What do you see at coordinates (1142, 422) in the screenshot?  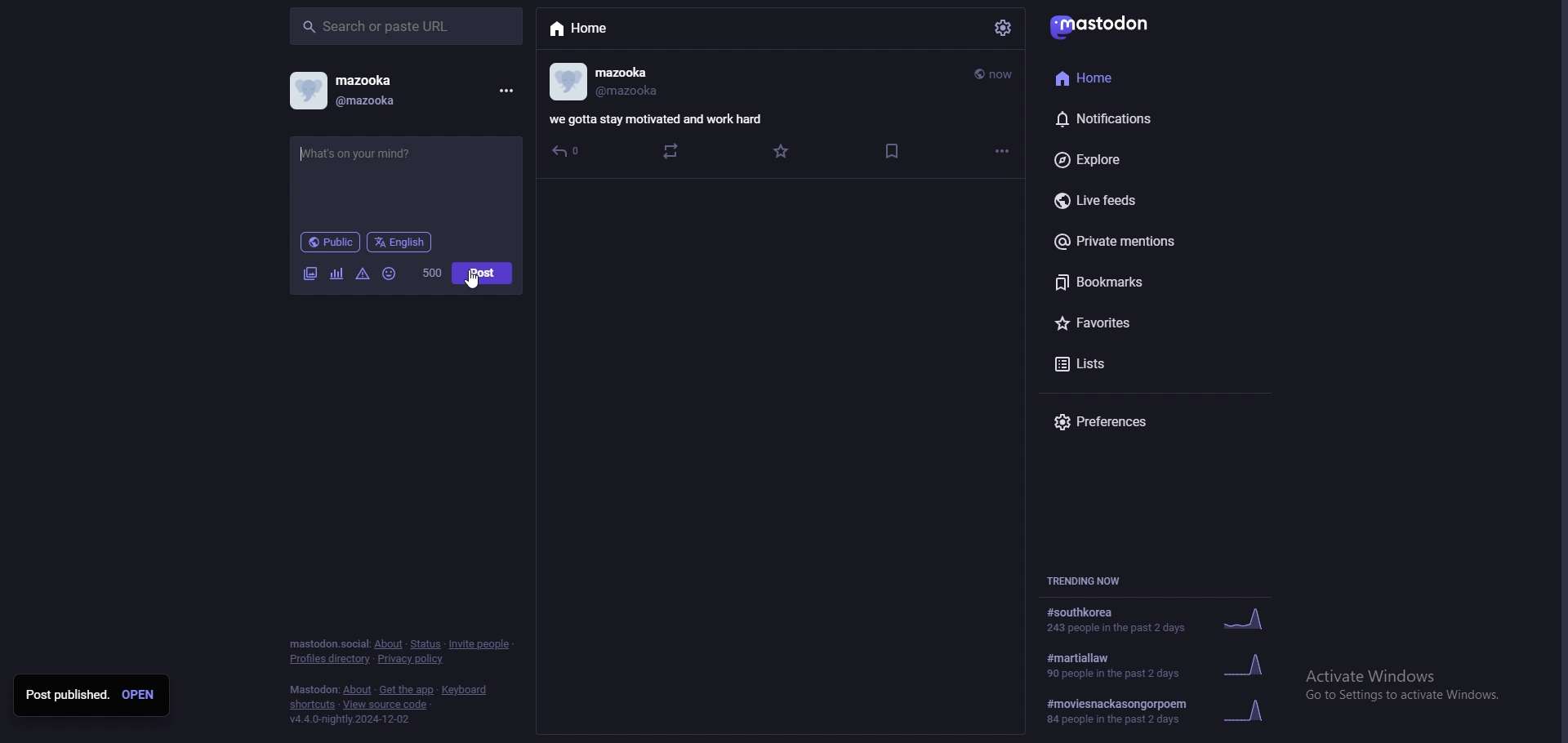 I see `preferences` at bounding box center [1142, 422].